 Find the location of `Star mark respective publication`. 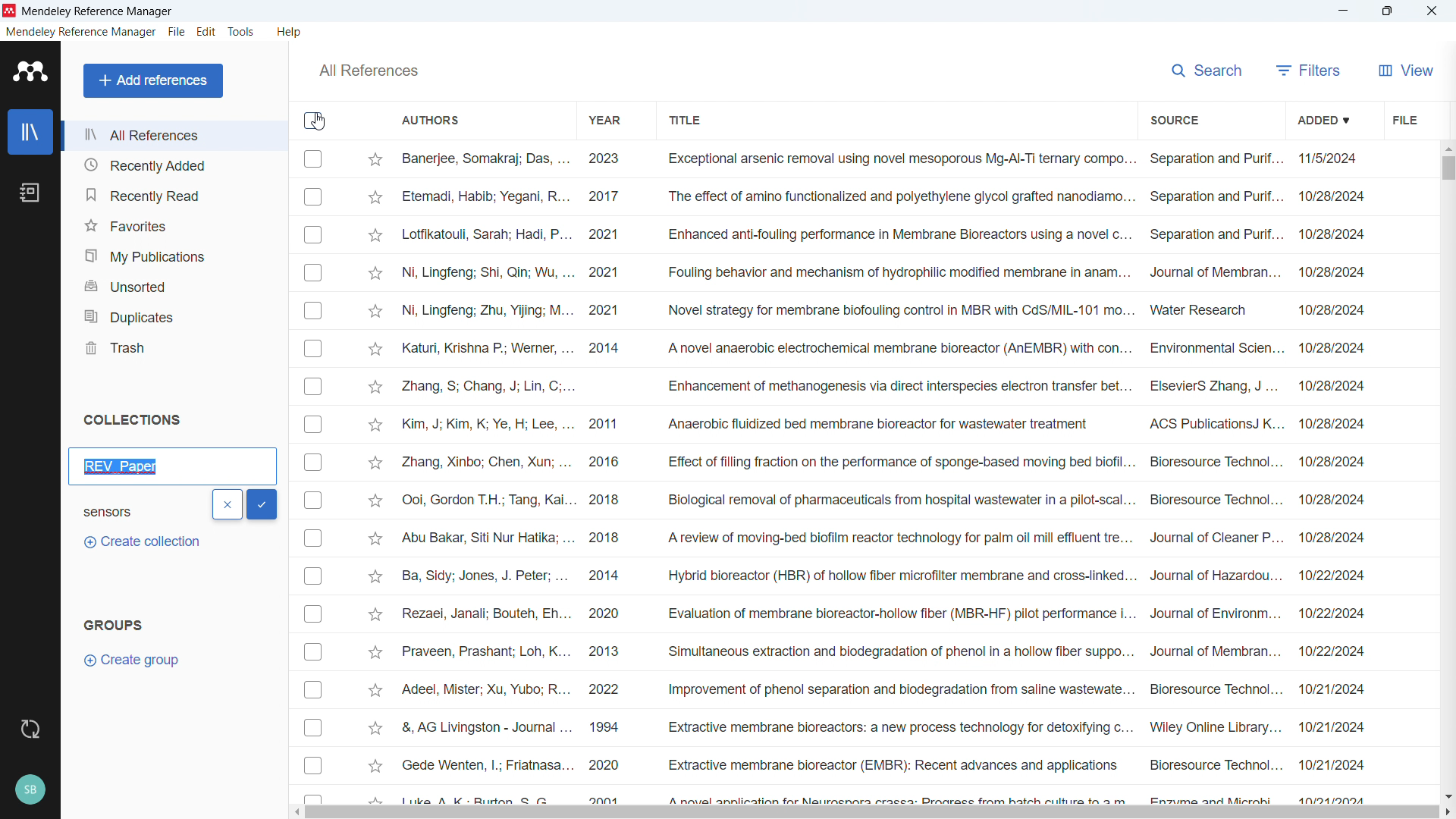

Star mark respective publication is located at coordinates (375, 463).